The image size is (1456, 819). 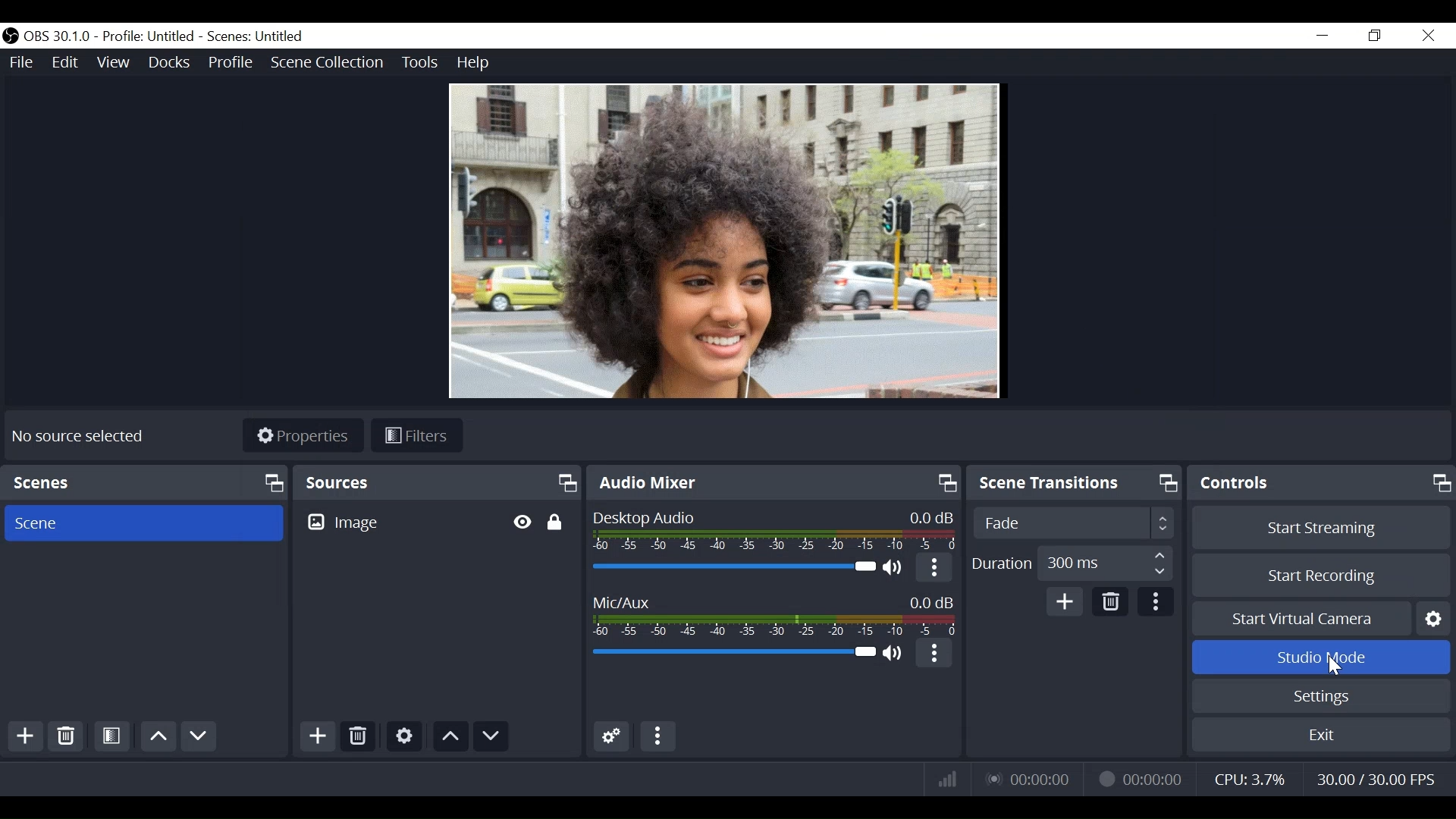 I want to click on Mic/Aux, so click(x=774, y=616).